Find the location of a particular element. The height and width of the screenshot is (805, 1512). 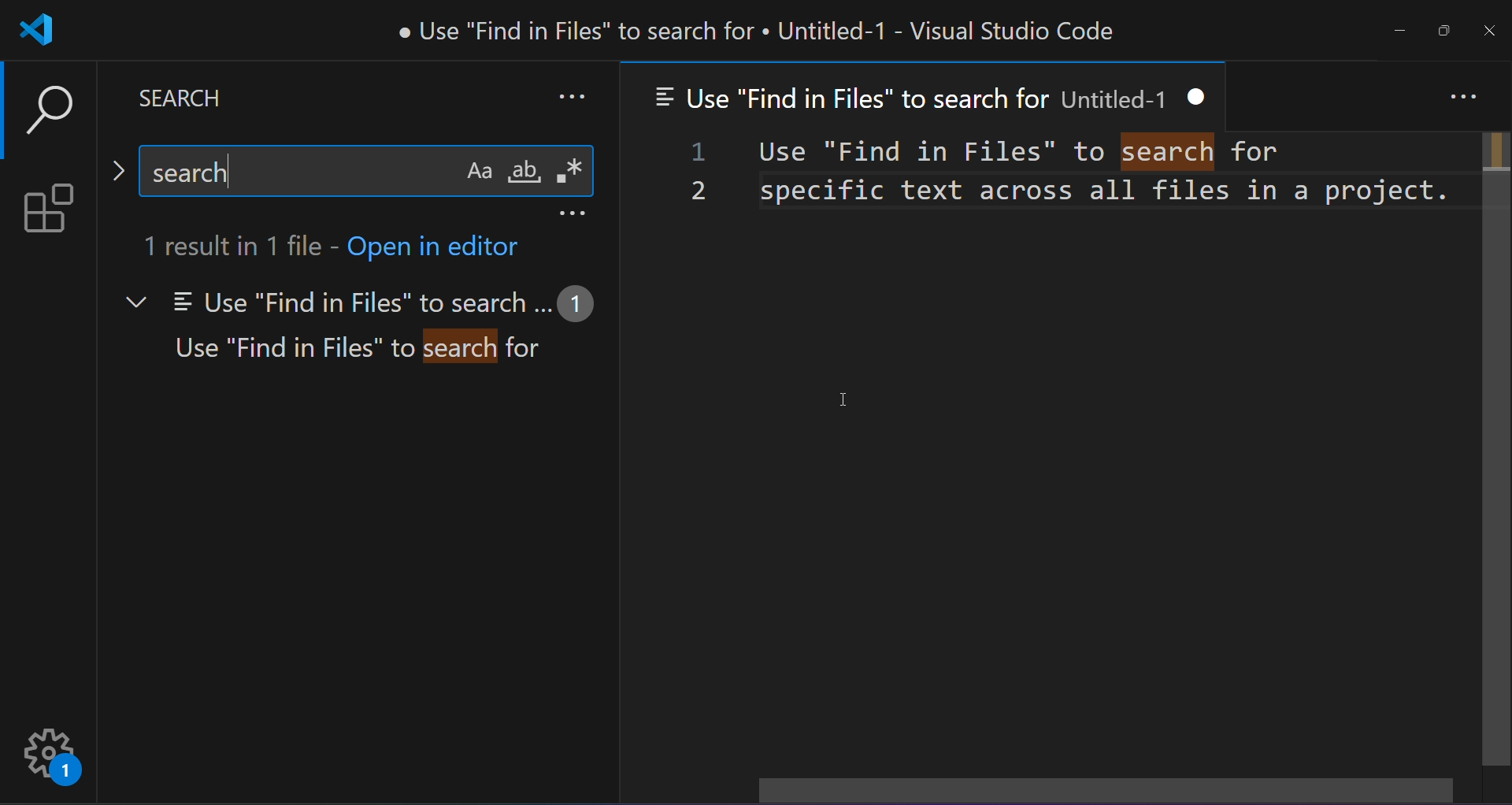

toggle replace is located at coordinates (114, 168).